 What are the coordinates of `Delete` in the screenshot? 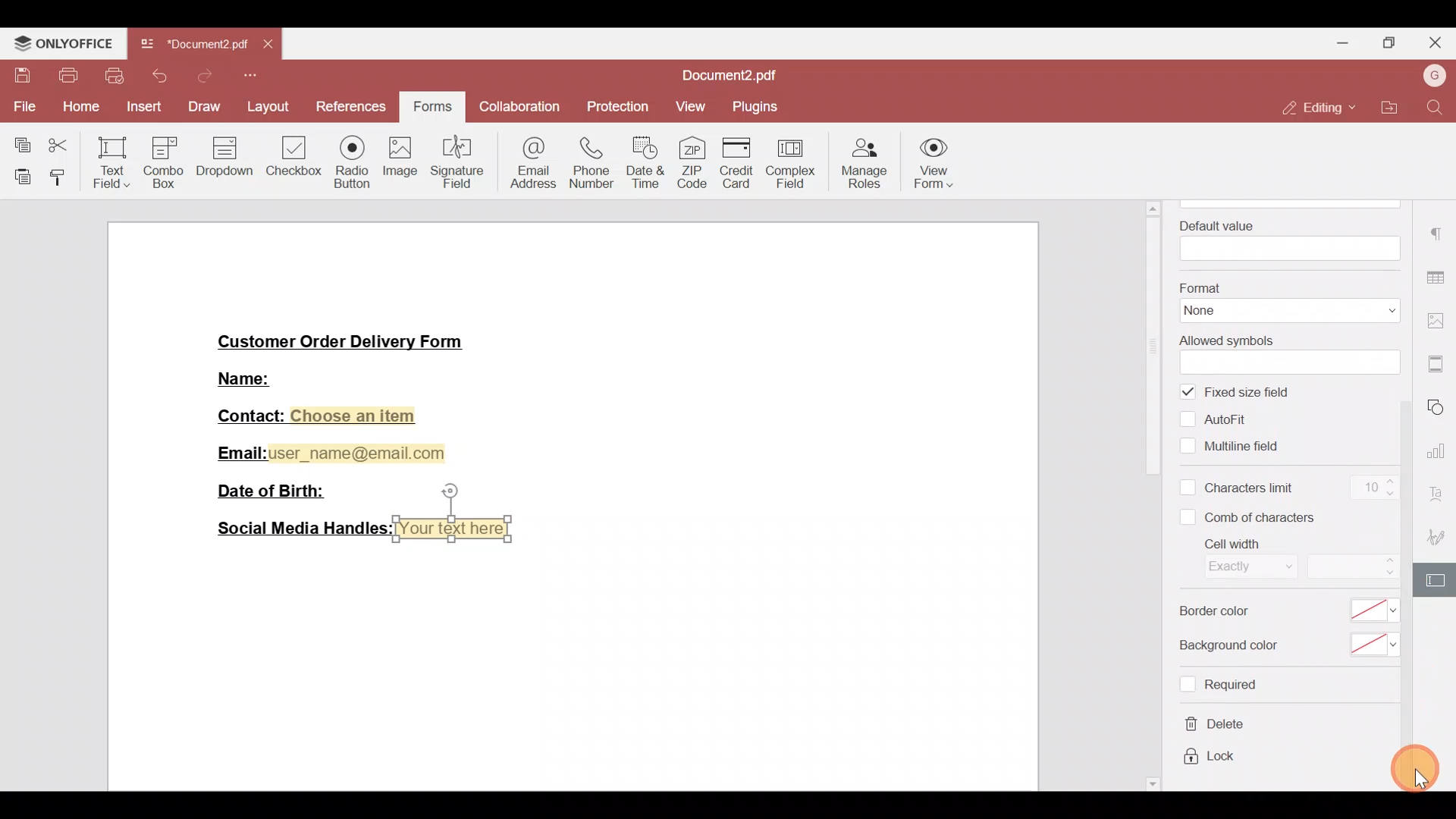 It's located at (1211, 727).